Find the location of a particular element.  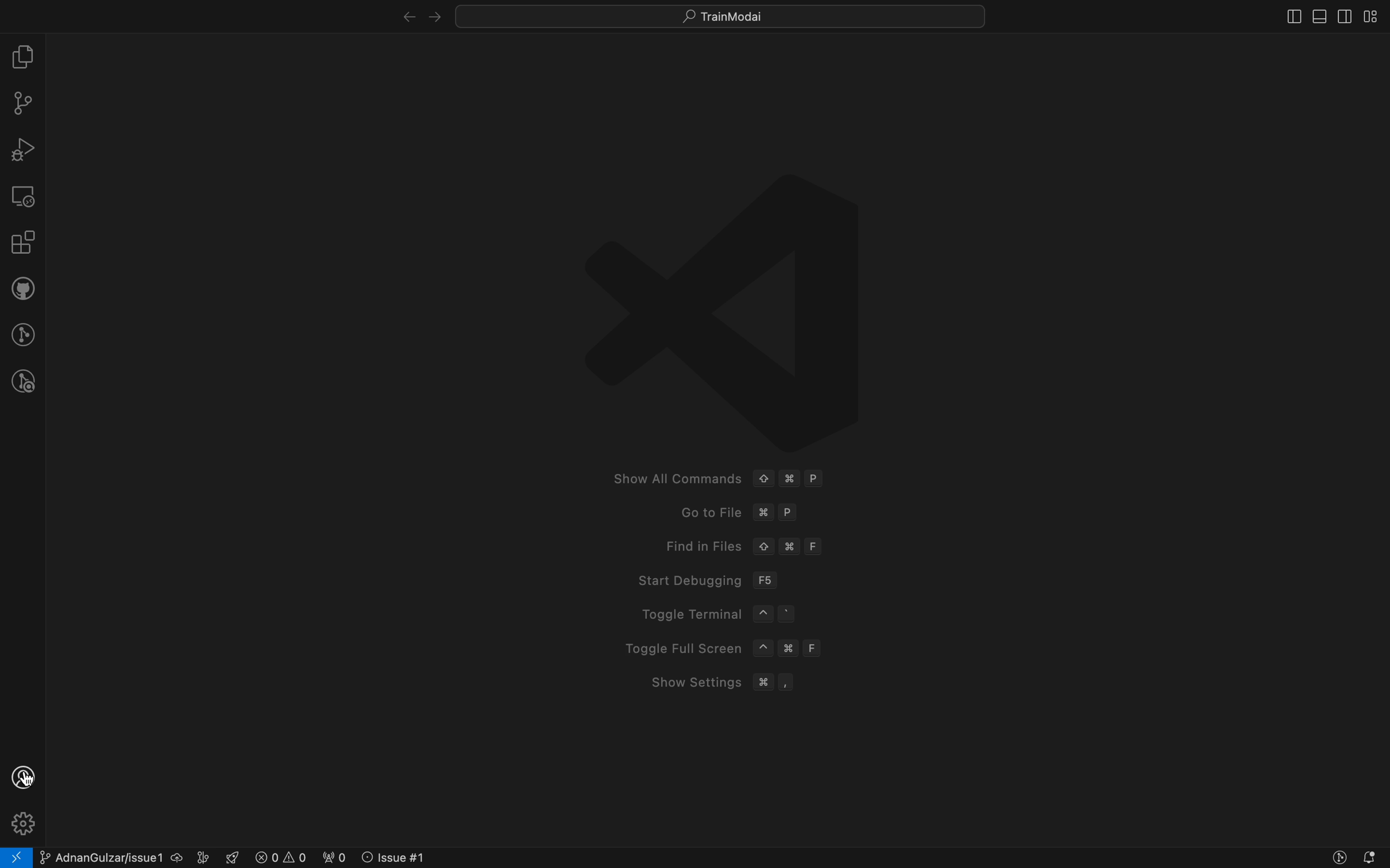

github pull request and issues is located at coordinates (22, 289).